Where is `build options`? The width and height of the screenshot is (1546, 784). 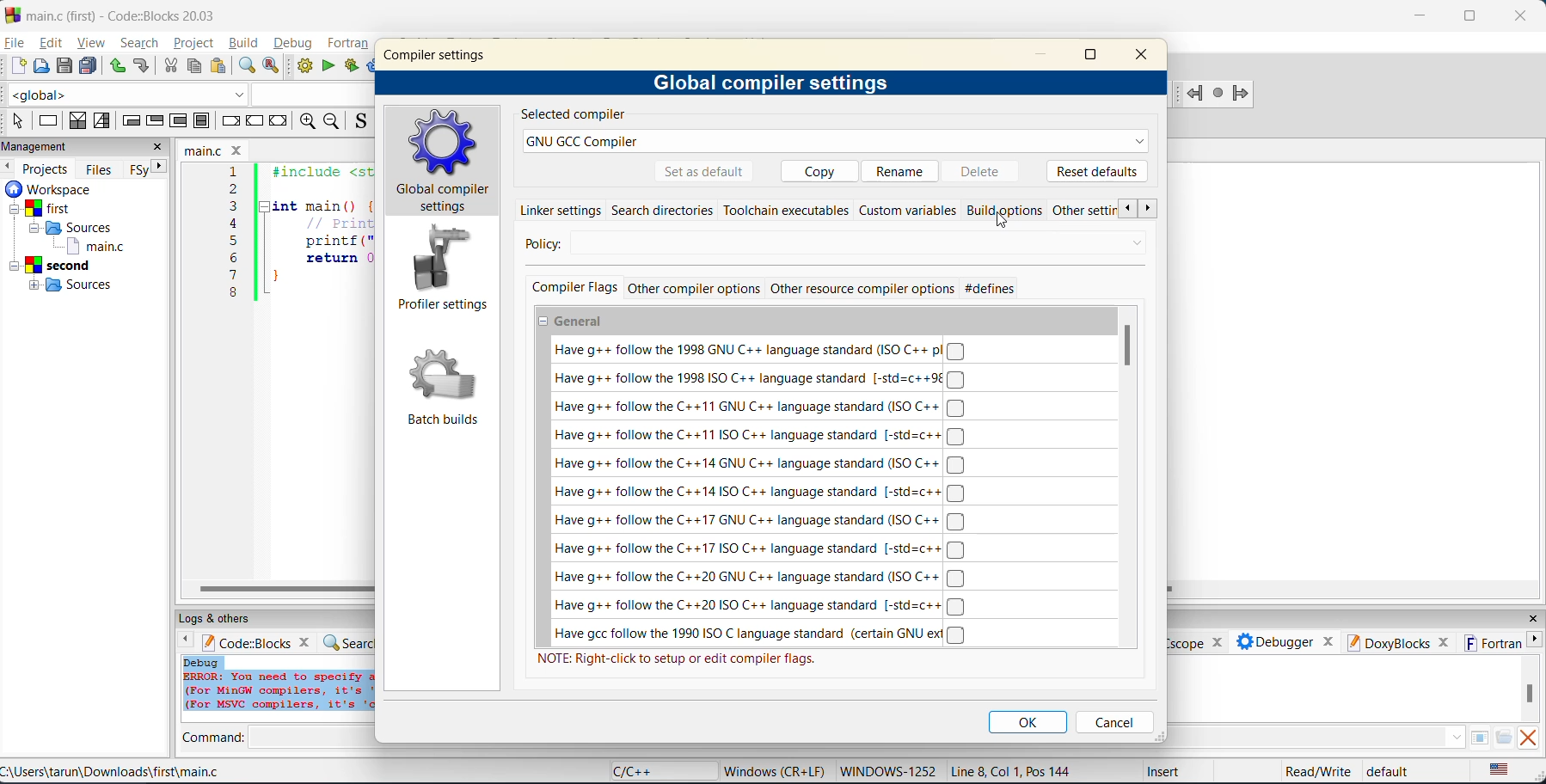
build options is located at coordinates (1009, 210).